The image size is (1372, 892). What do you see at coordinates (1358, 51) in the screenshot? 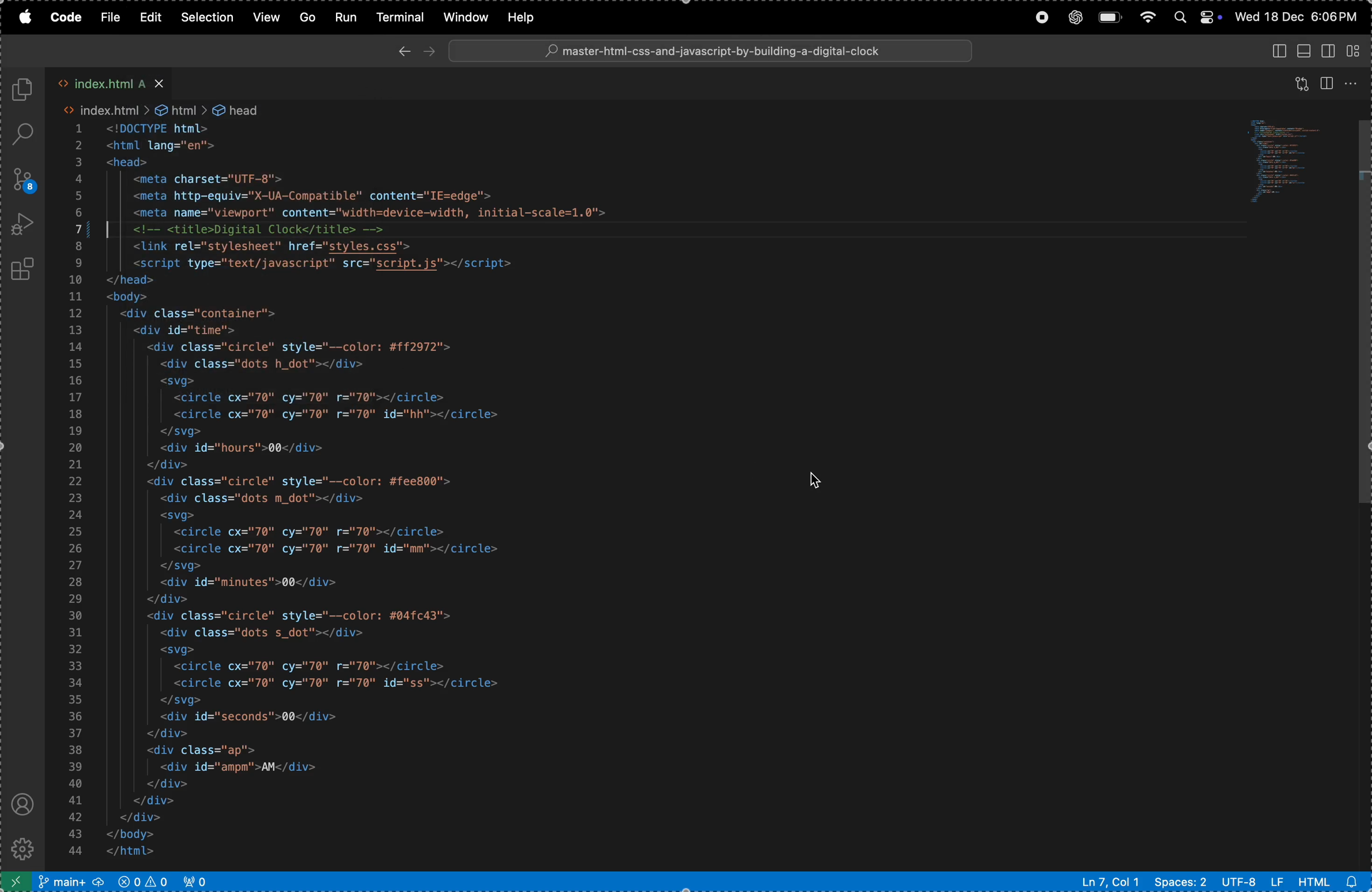
I see `seperate grid view` at bounding box center [1358, 51].